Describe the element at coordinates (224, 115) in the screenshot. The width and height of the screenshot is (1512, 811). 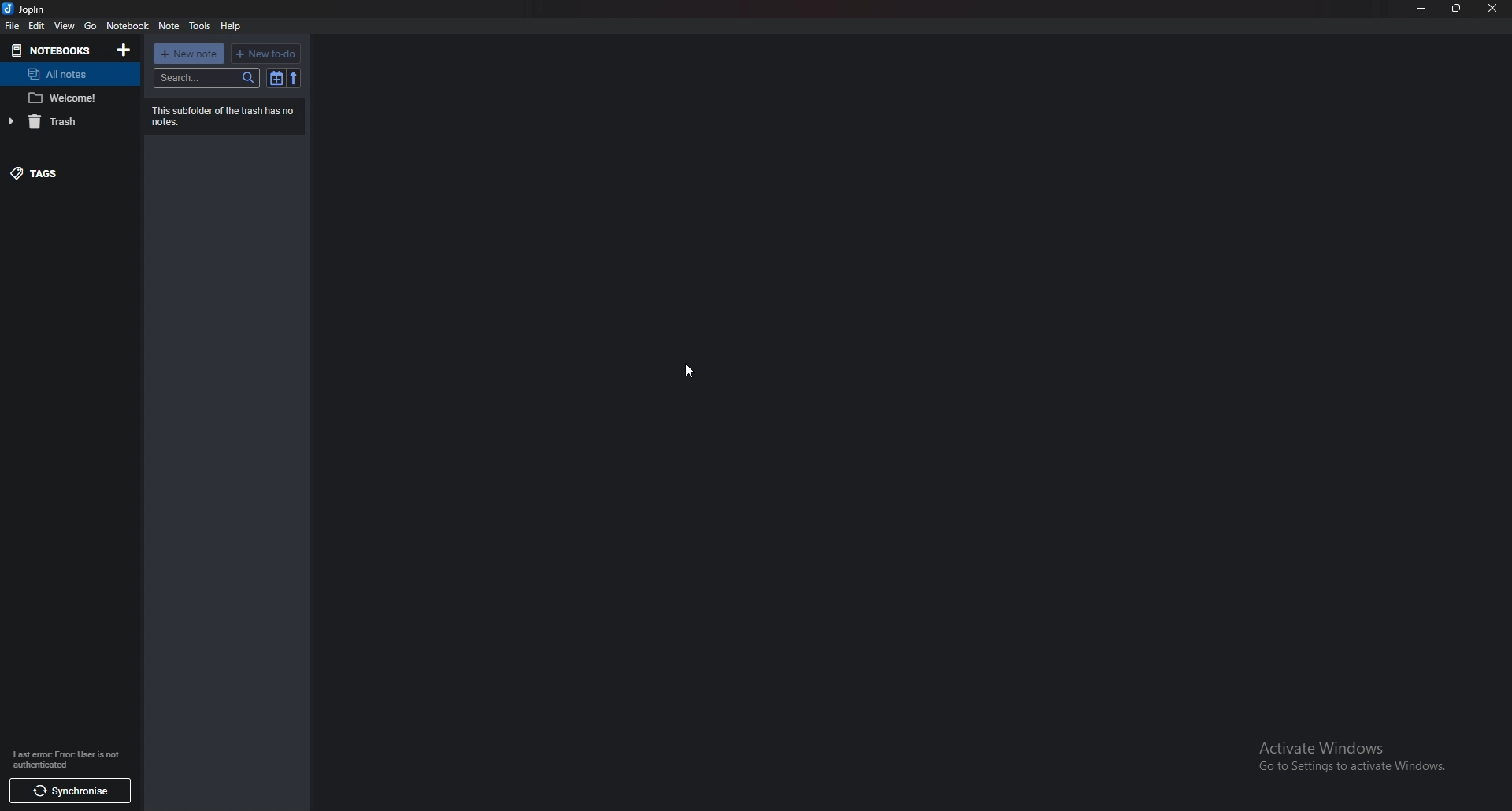
I see `Info` at that location.